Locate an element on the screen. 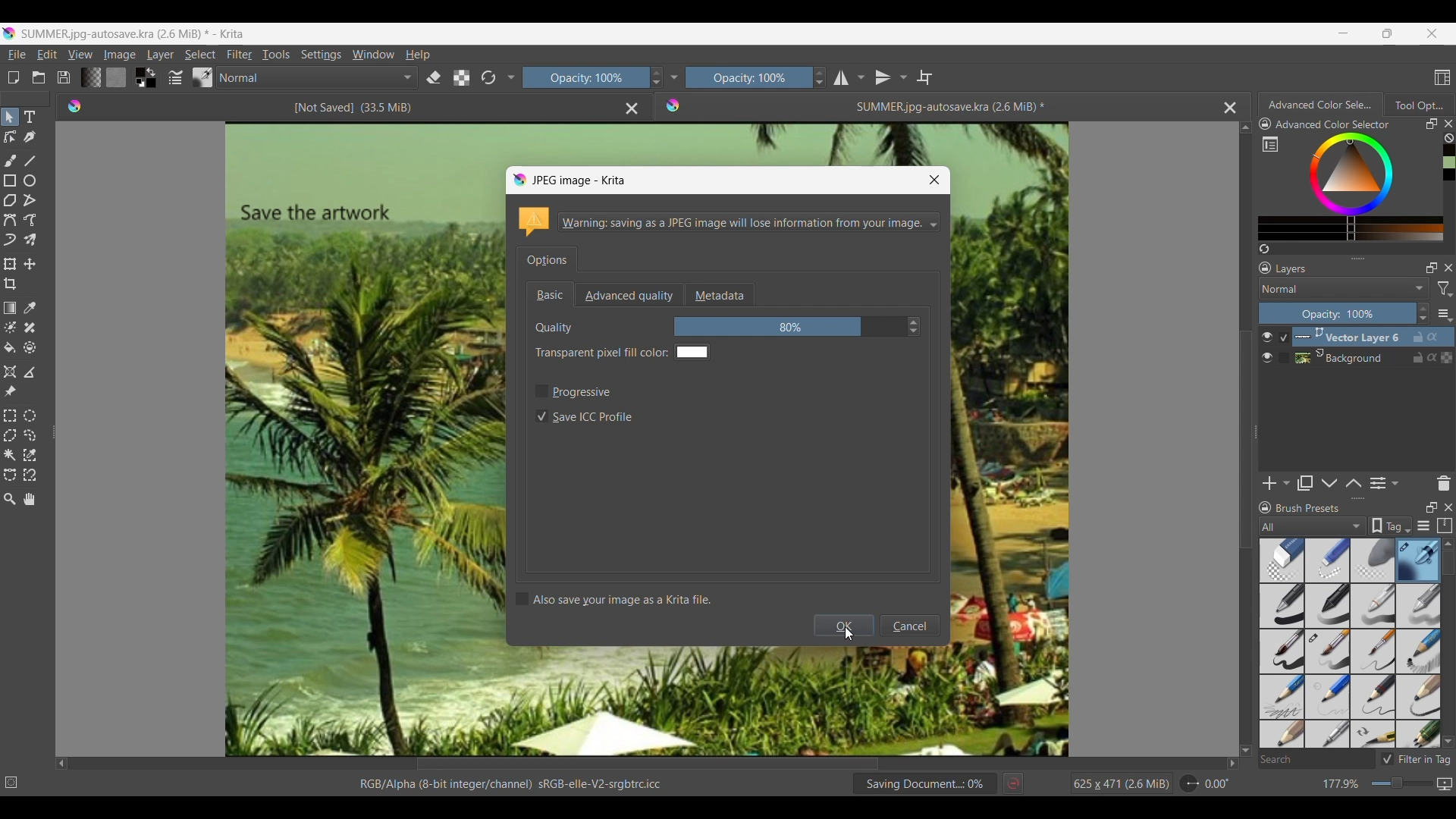 The width and height of the screenshot is (1456, 819). Storage resources is located at coordinates (1444, 526).